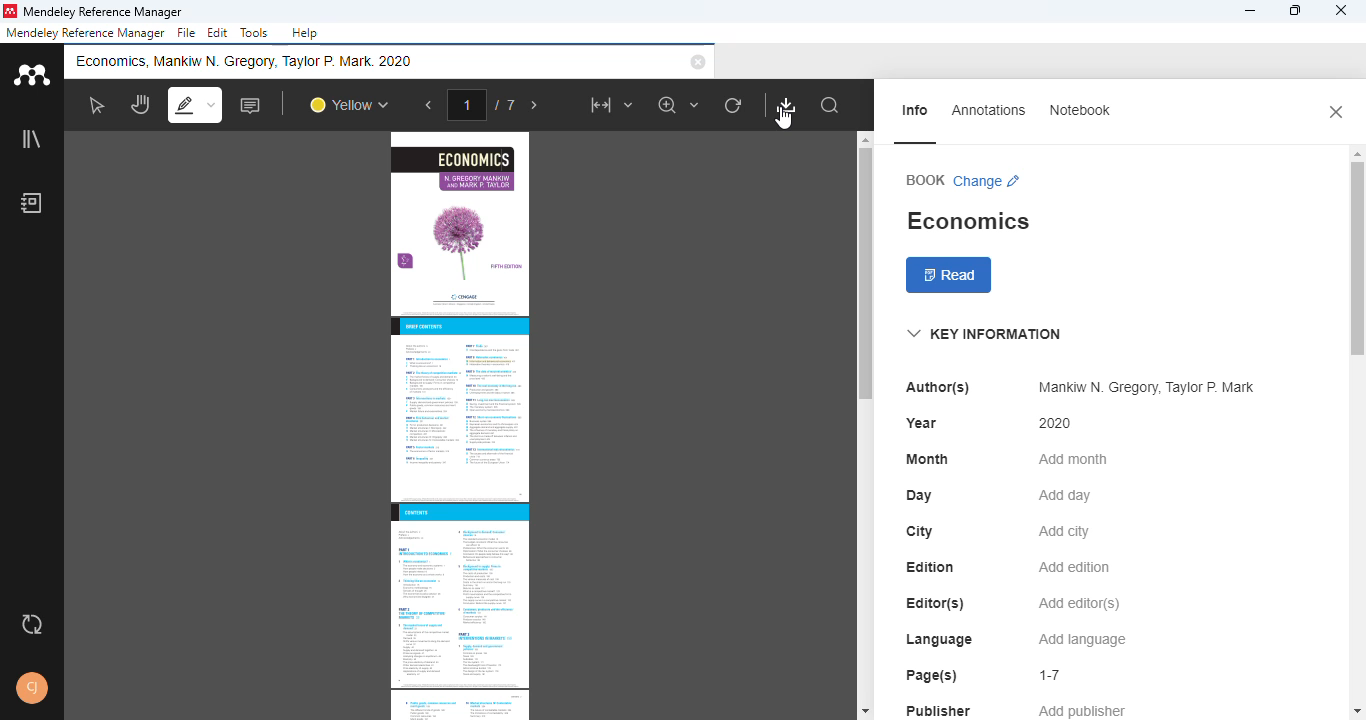  I want to click on close, so click(698, 62).